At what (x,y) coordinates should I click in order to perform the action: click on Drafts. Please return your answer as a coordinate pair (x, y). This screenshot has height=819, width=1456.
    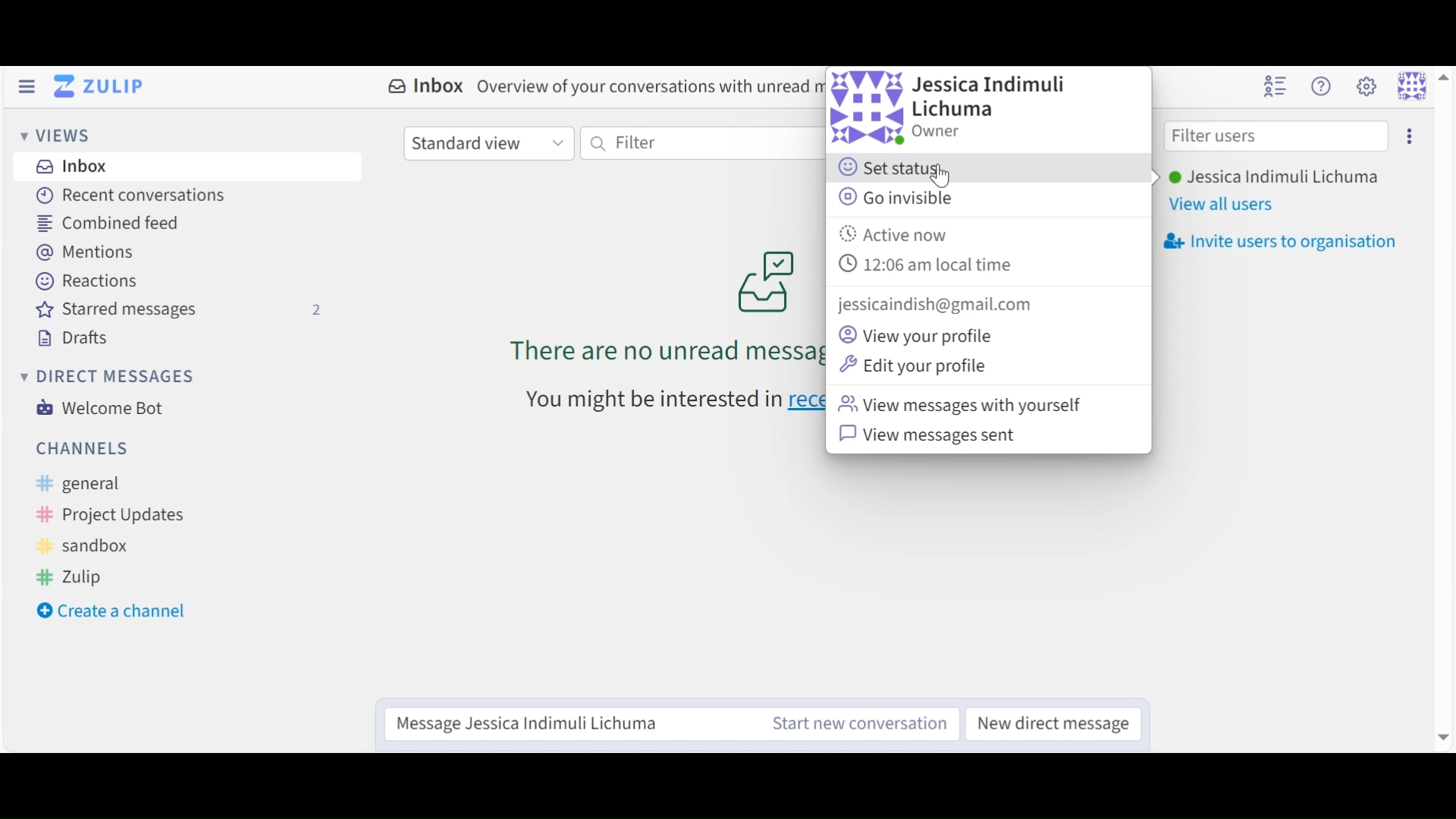
    Looking at the image, I should click on (74, 338).